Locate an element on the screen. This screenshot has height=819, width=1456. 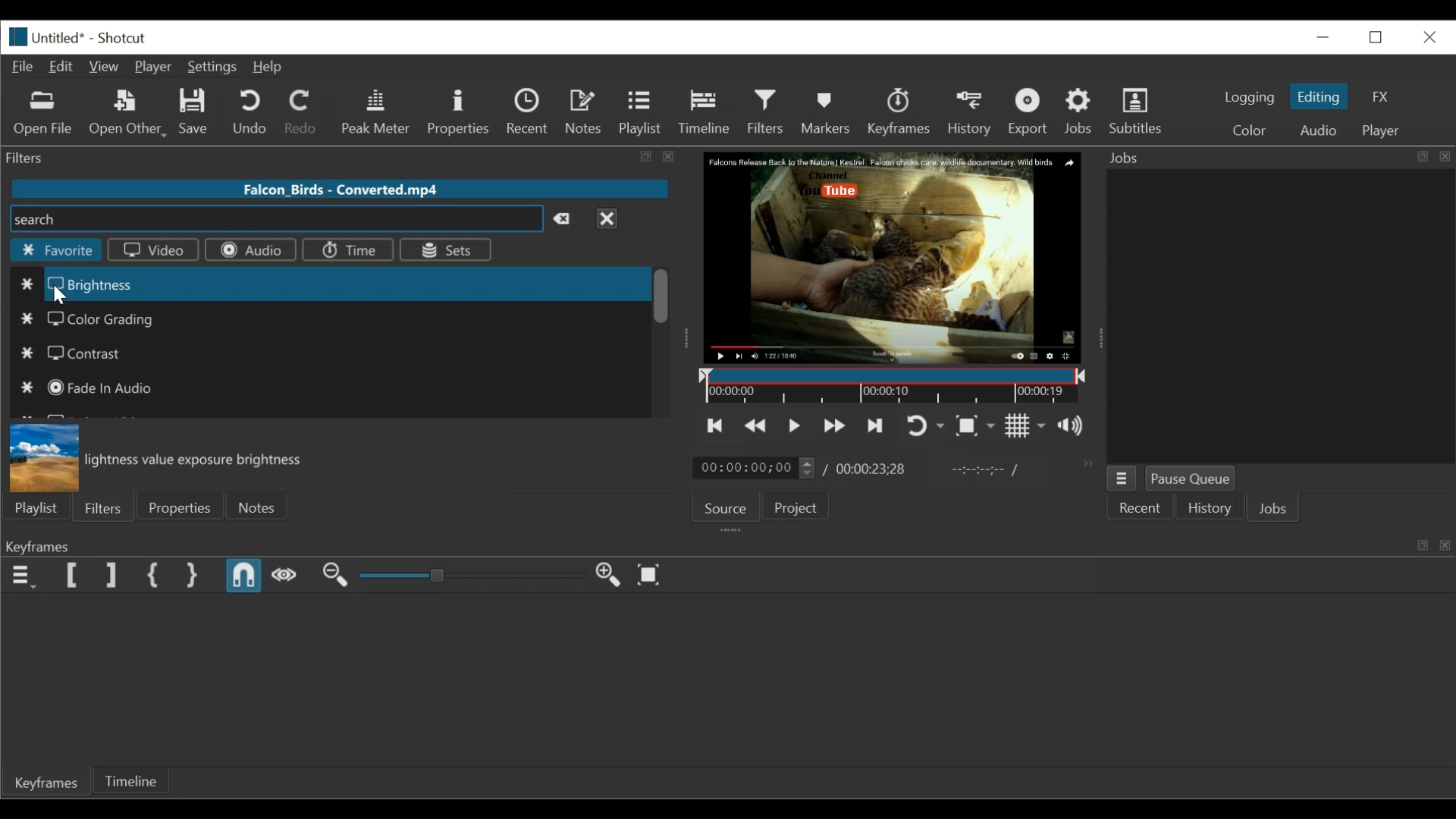
Zoom keyframe to fit is located at coordinates (653, 573).